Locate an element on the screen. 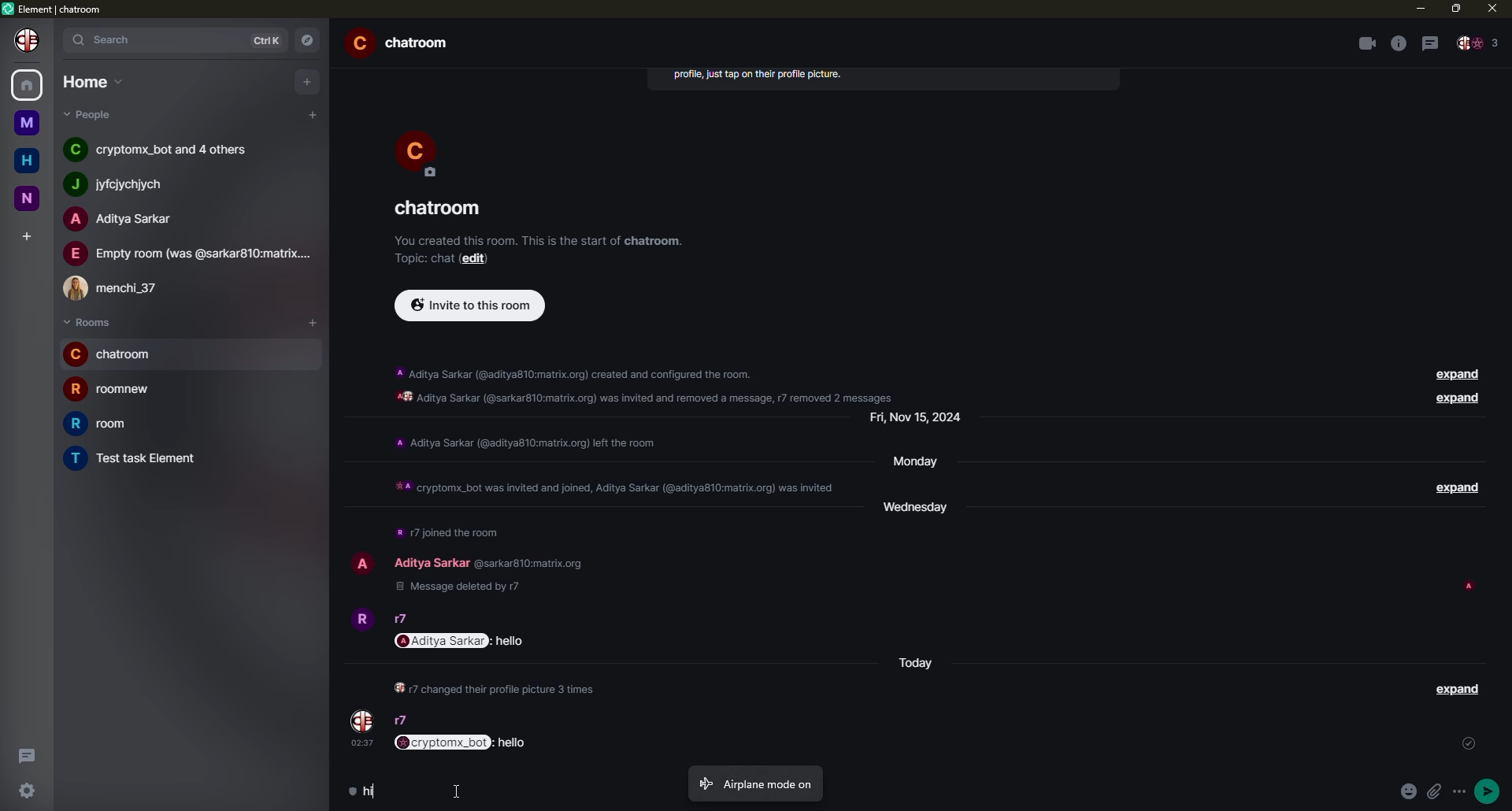 The image size is (1512, 811). profile is located at coordinates (361, 719).